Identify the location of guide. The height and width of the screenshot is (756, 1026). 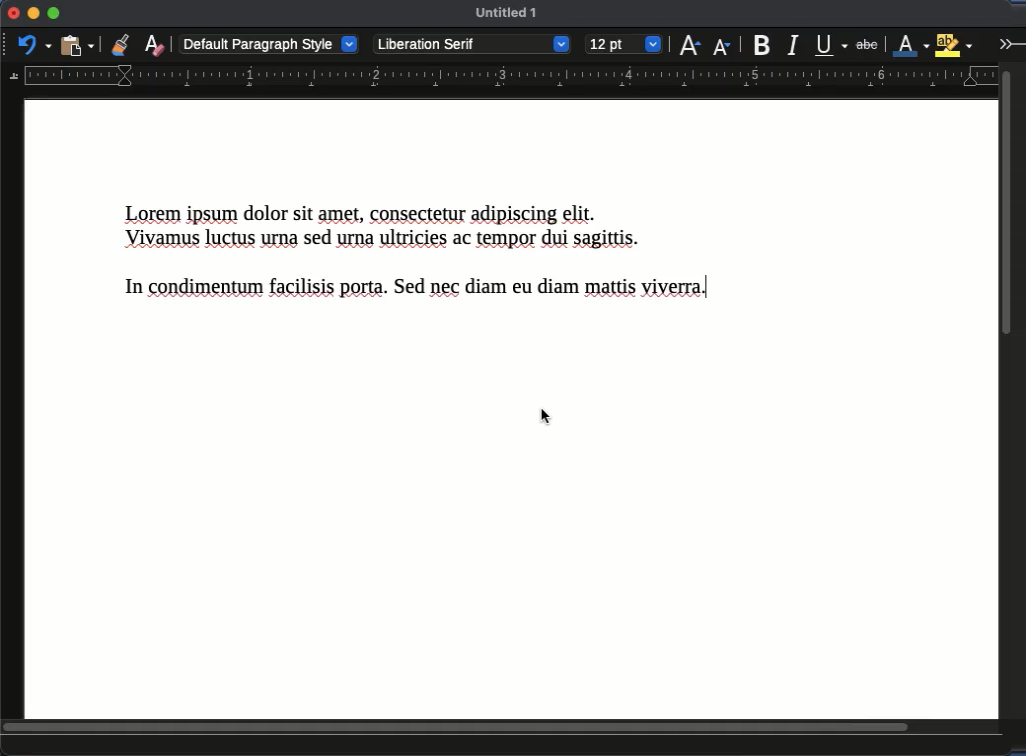
(500, 77).